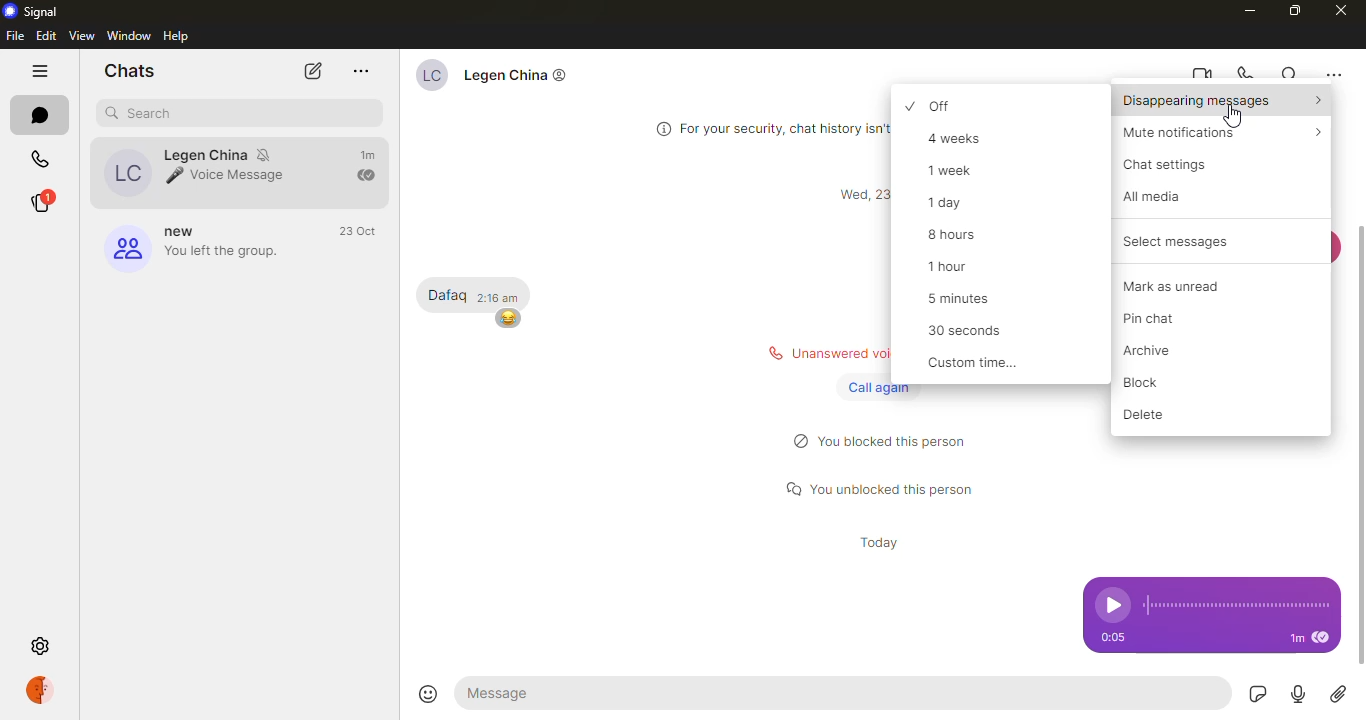  I want to click on status message, so click(887, 441).